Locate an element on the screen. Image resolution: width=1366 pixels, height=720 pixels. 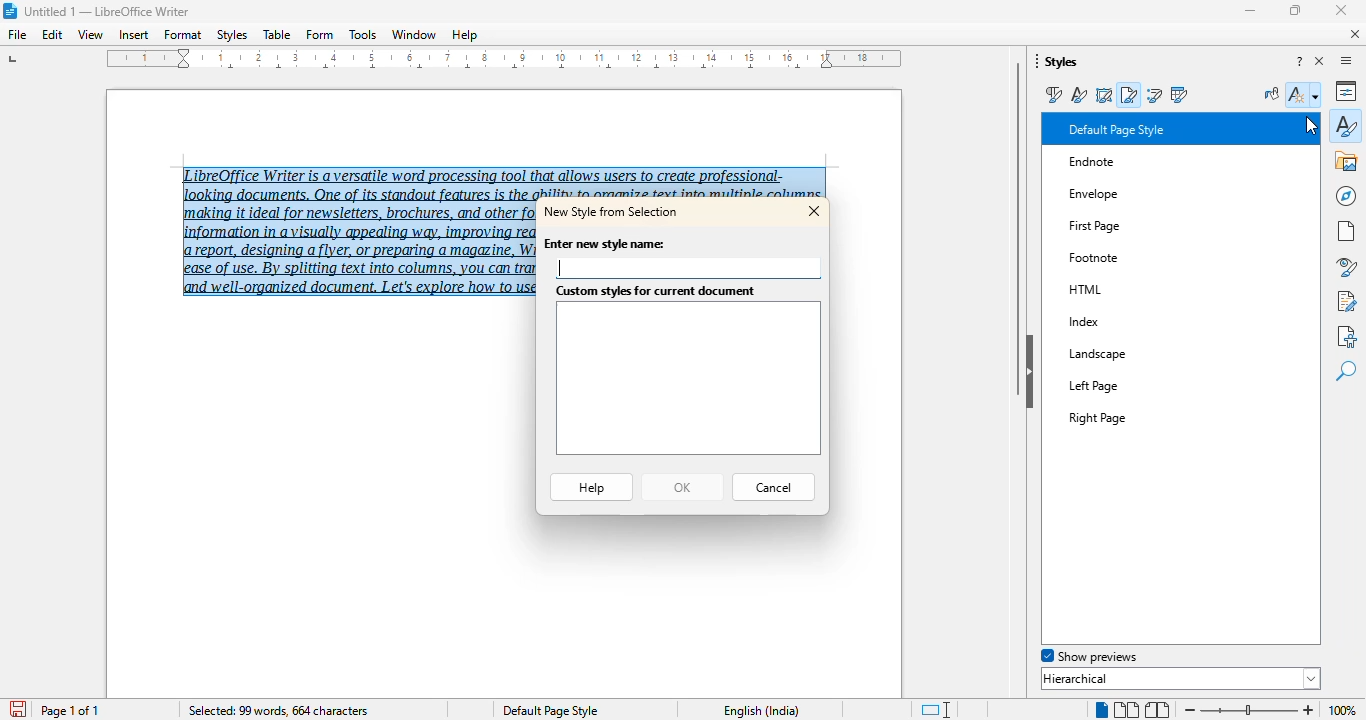
accessibility check is located at coordinates (1346, 336).